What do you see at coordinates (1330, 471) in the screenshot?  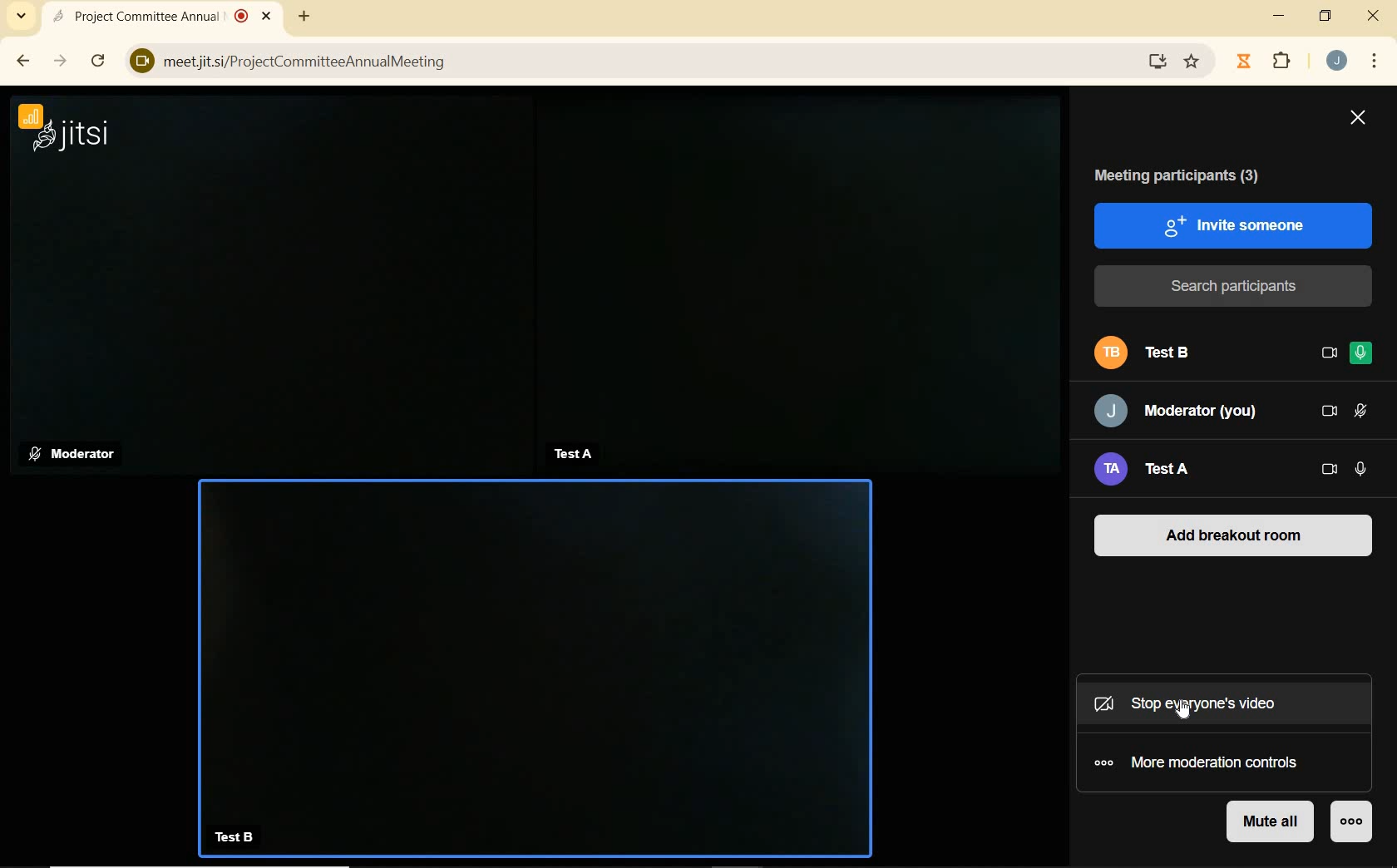 I see `CAMERA` at bounding box center [1330, 471].